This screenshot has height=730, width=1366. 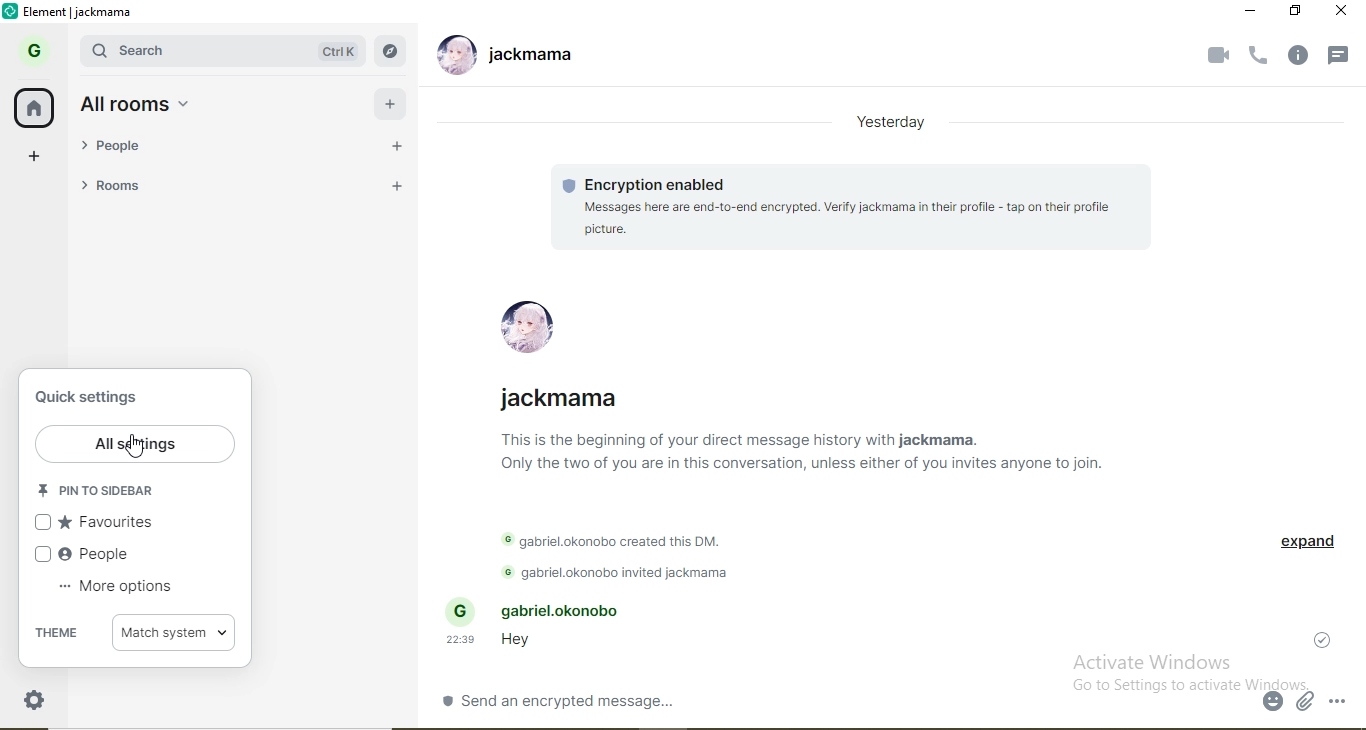 I want to click on 22:39, so click(x=463, y=640).